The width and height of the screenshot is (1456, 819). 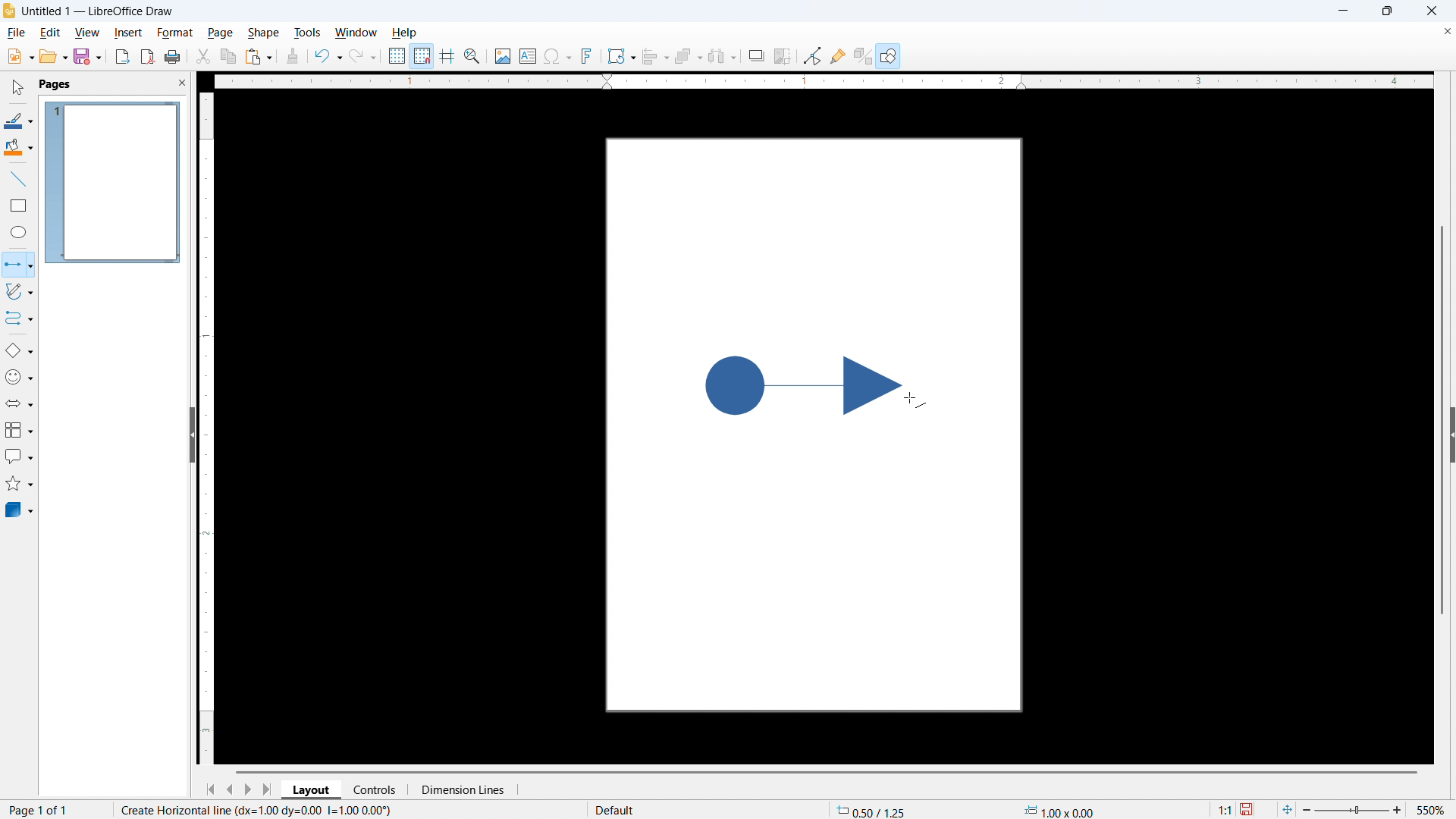 I want to click on Guideline while moving , so click(x=447, y=55).